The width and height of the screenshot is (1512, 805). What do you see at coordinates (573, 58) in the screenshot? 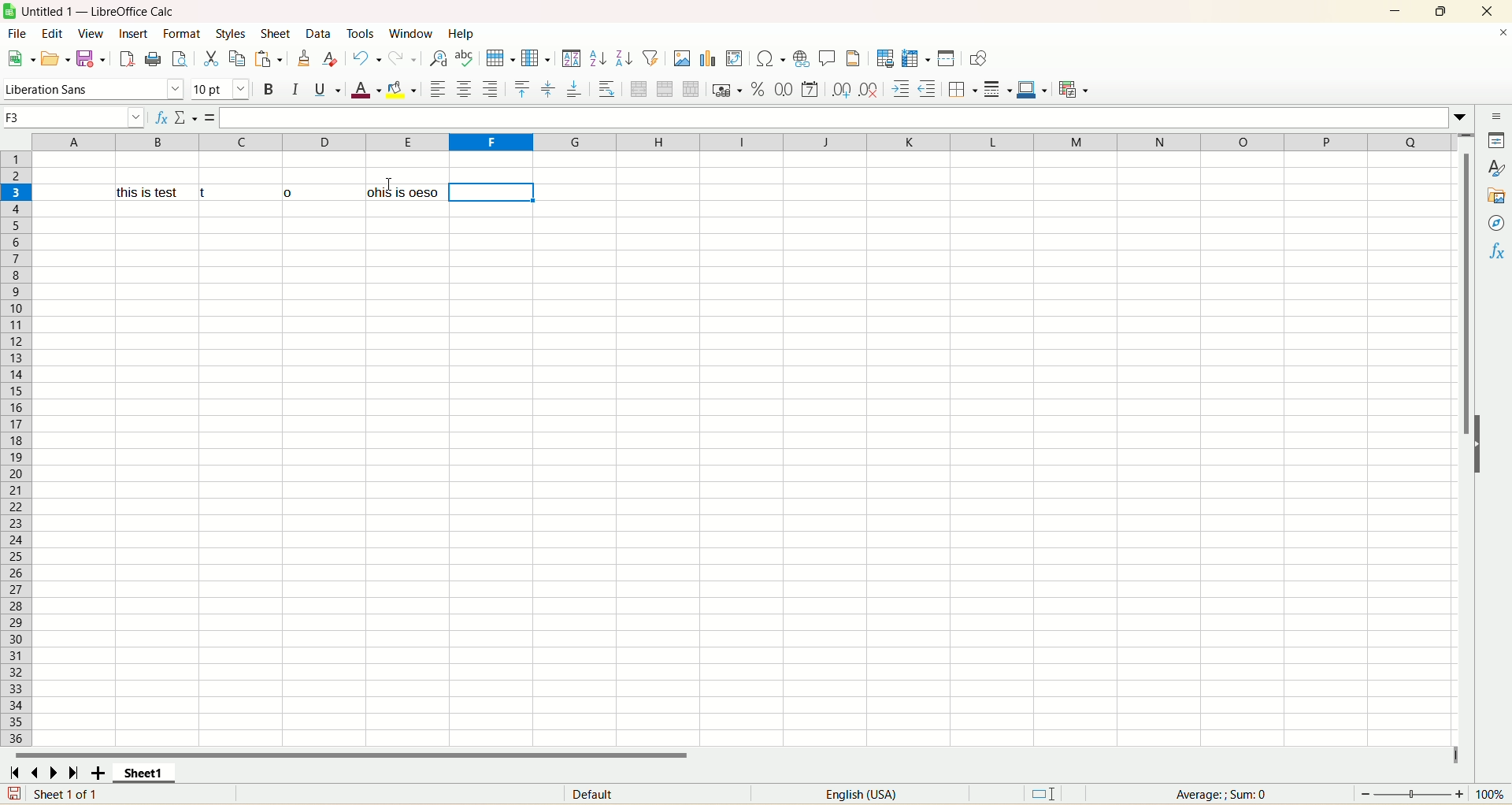
I see `sort` at bounding box center [573, 58].